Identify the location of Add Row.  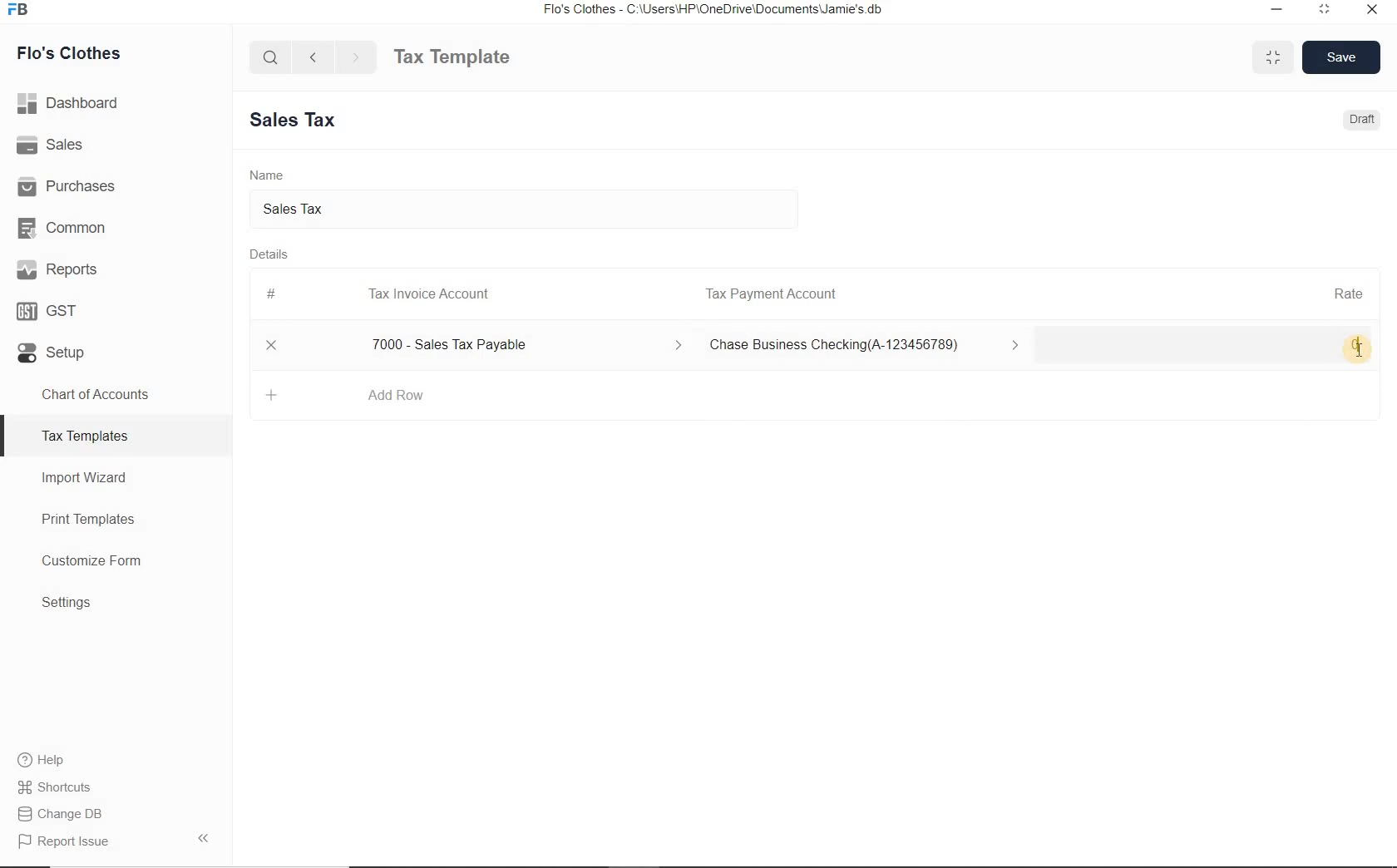
(396, 395).